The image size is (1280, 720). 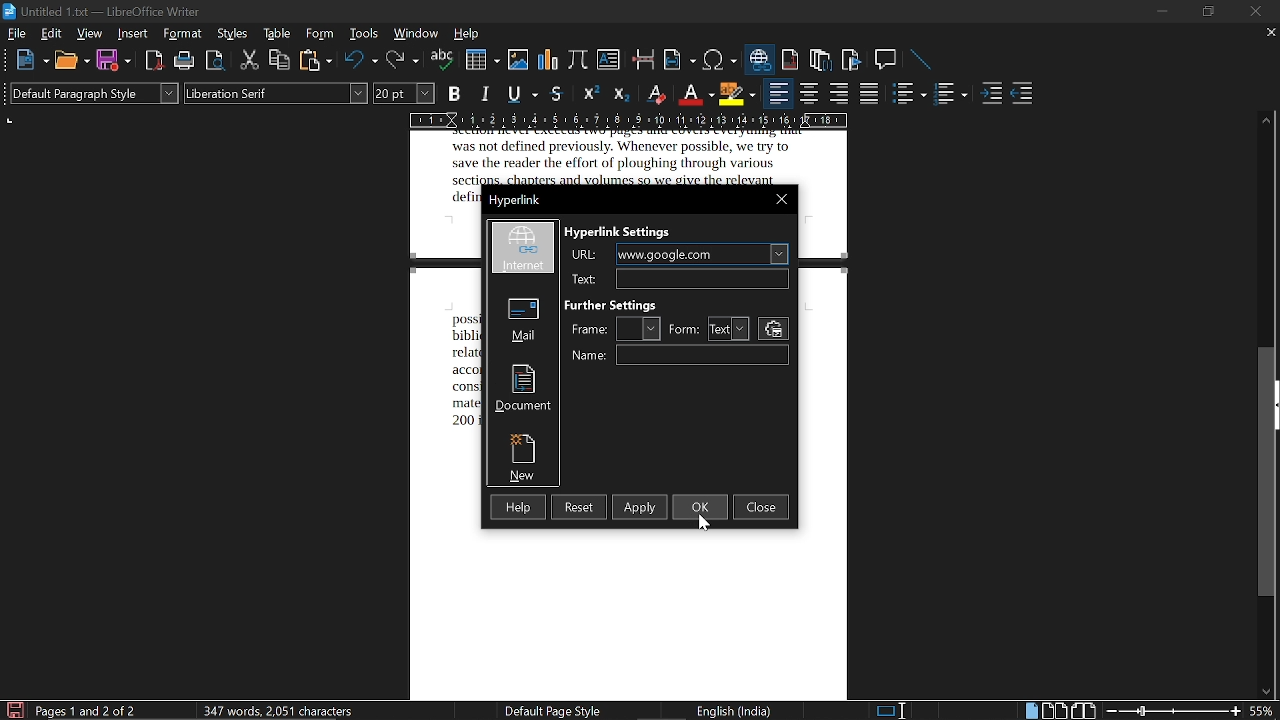 I want to click on styles, so click(x=232, y=34).